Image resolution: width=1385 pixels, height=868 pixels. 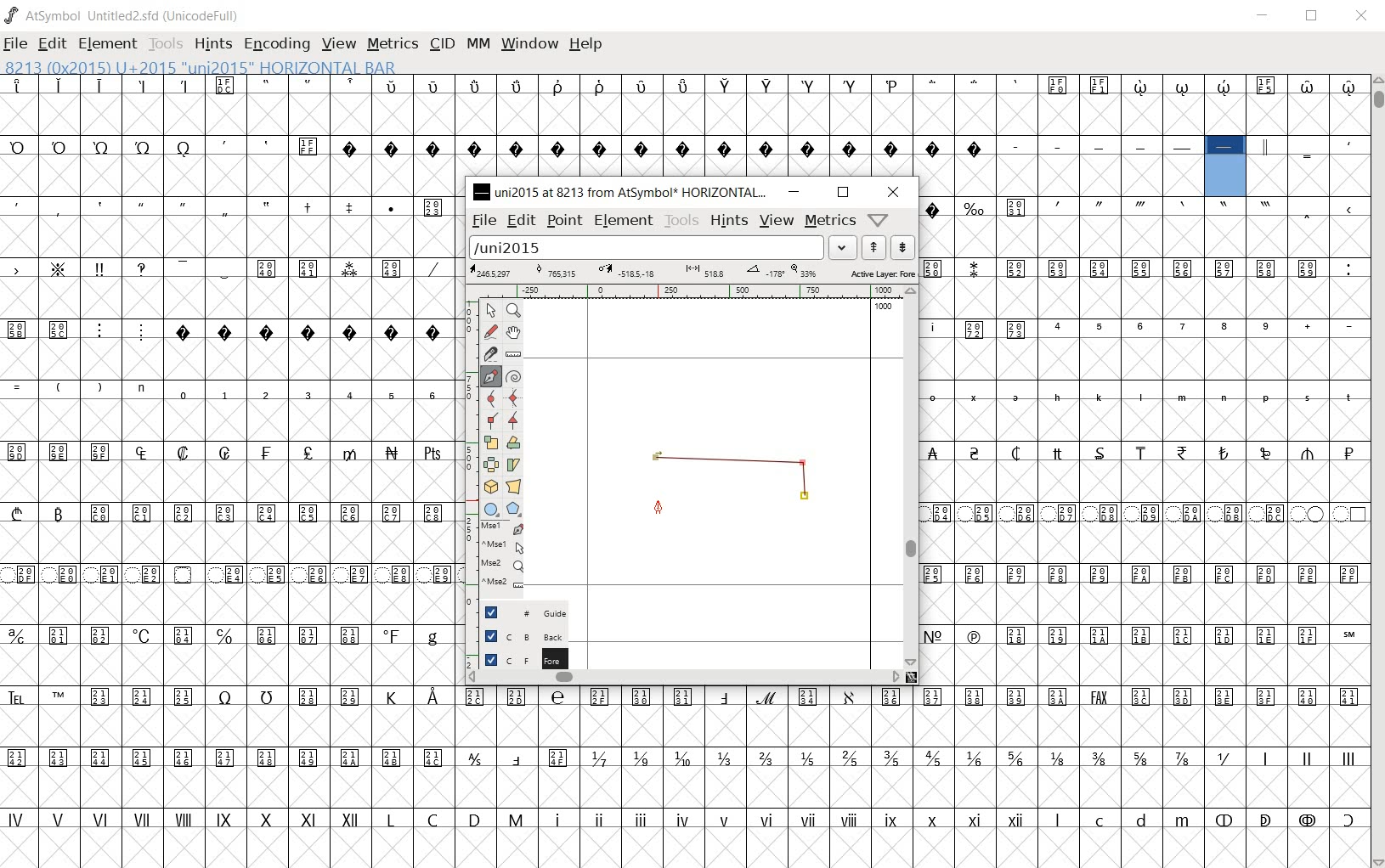 What do you see at coordinates (522, 222) in the screenshot?
I see `edit` at bounding box center [522, 222].